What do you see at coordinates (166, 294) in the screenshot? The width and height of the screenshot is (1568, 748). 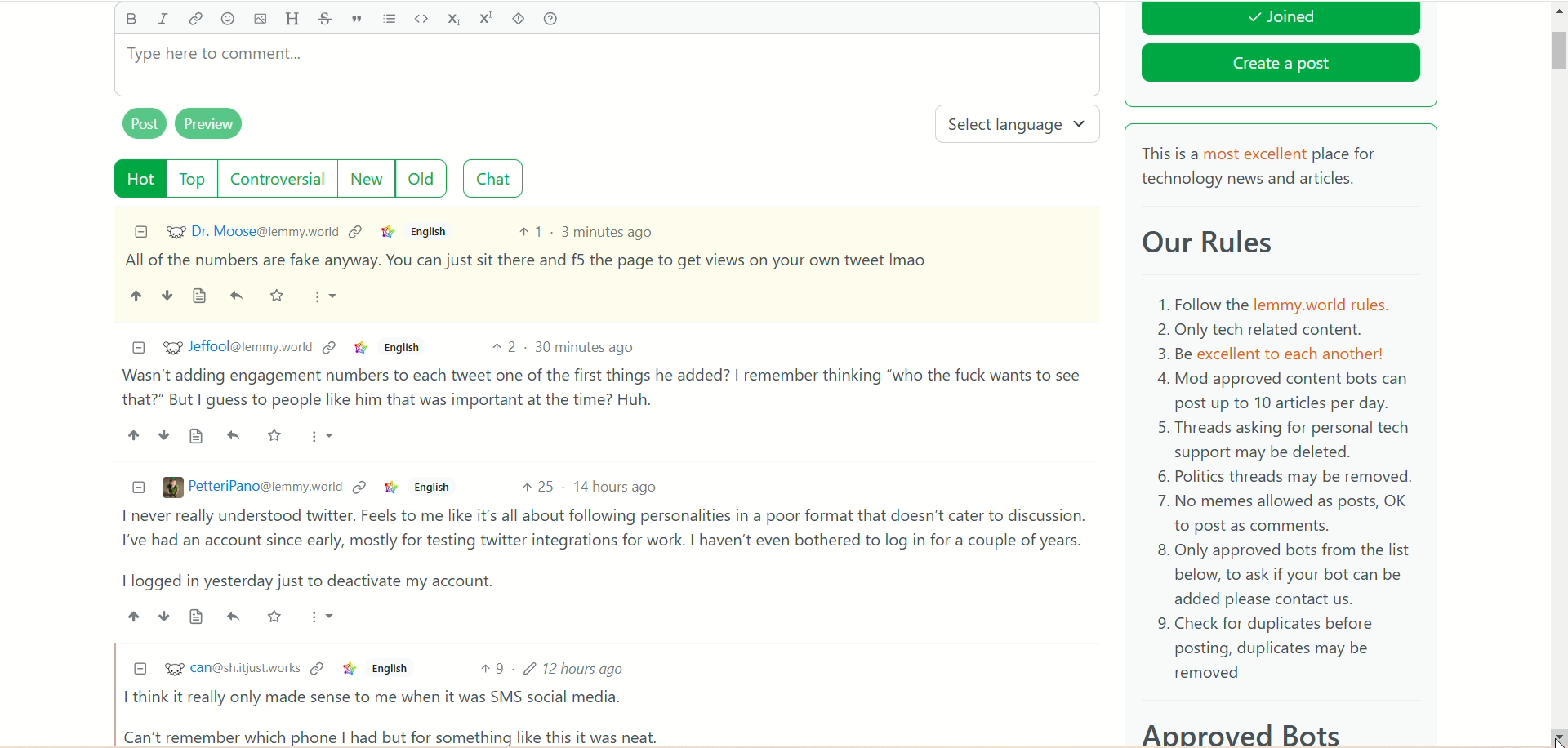 I see `Downvote` at bounding box center [166, 294].